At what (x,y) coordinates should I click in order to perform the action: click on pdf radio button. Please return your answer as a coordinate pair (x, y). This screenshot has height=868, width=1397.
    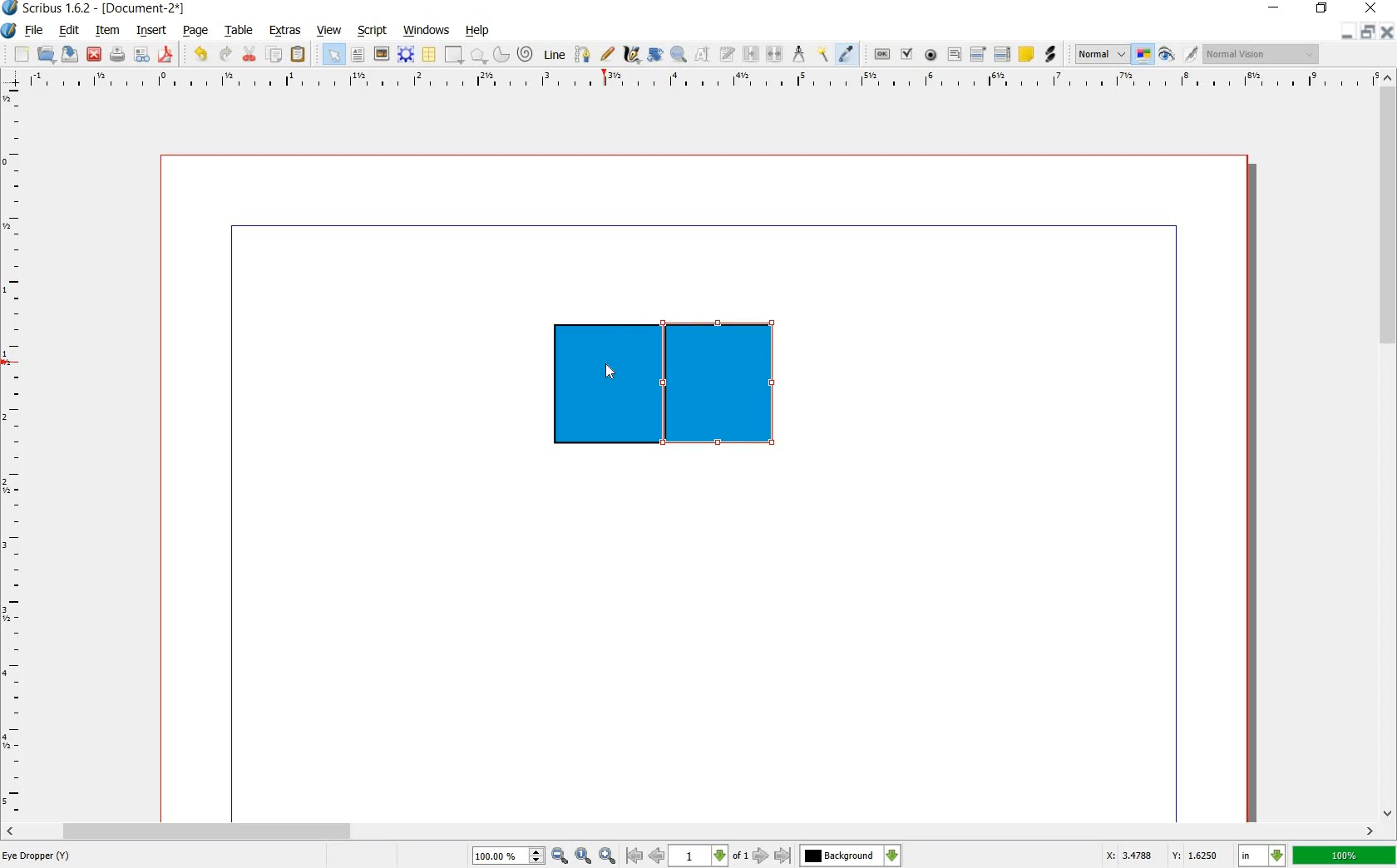
    Looking at the image, I should click on (932, 55).